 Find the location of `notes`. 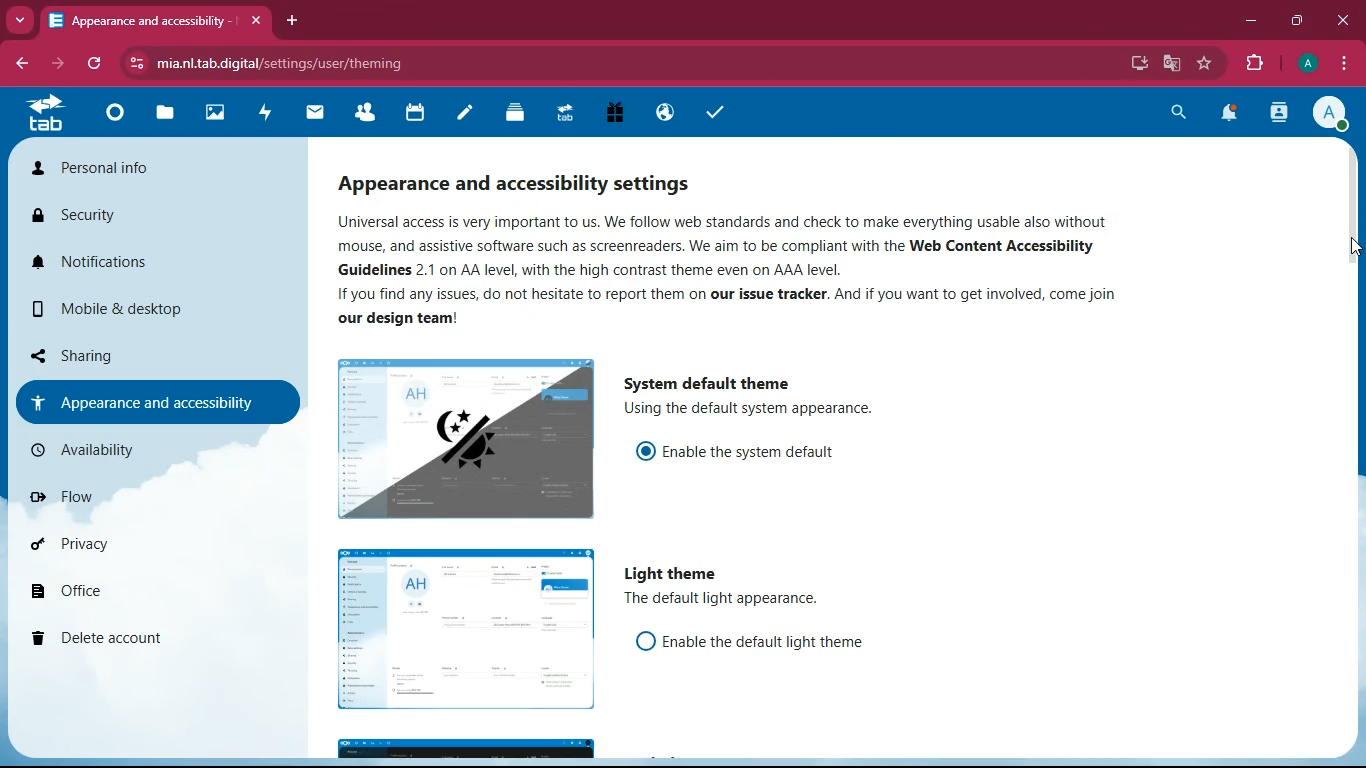

notes is located at coordinates (464, 114).